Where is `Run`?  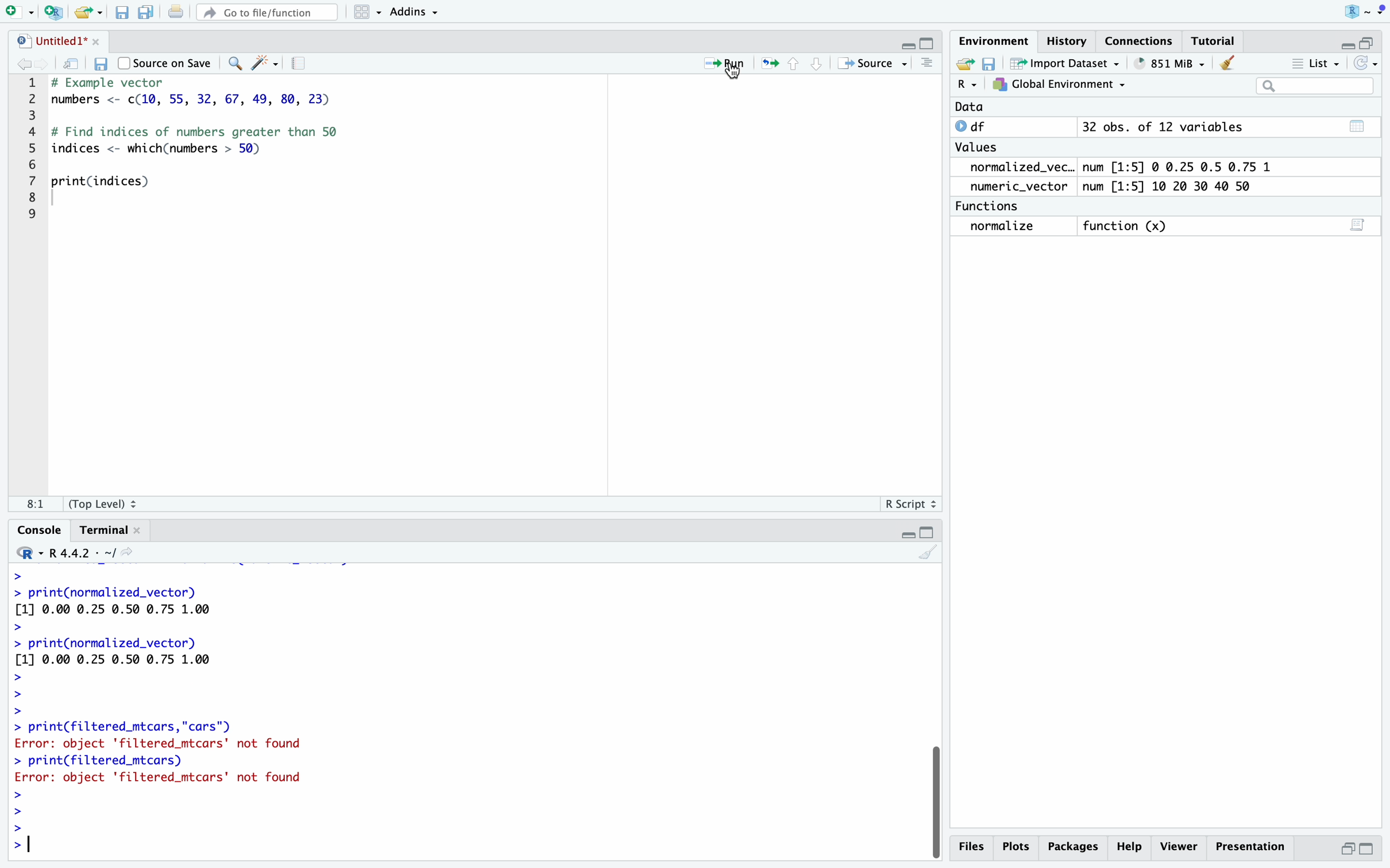
Run is located at coordinates (716, 61).